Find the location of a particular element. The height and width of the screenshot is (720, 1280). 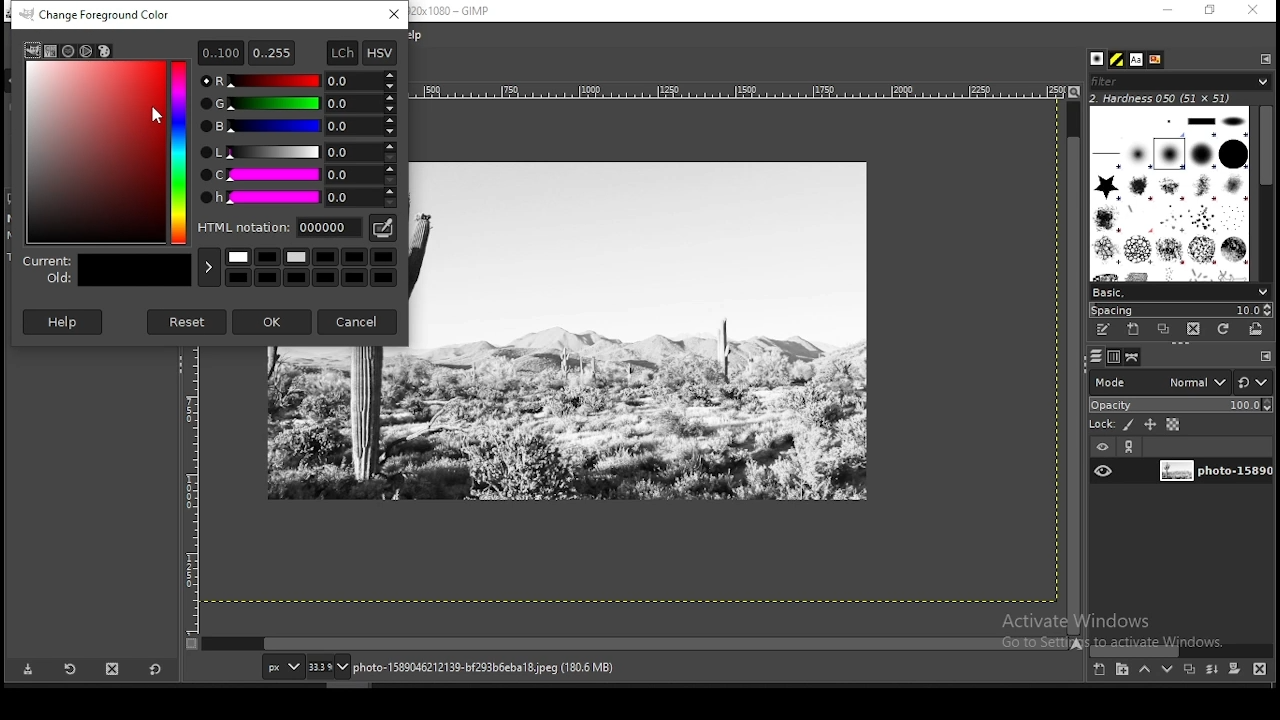

channels is located at coordinates (1116, 357).